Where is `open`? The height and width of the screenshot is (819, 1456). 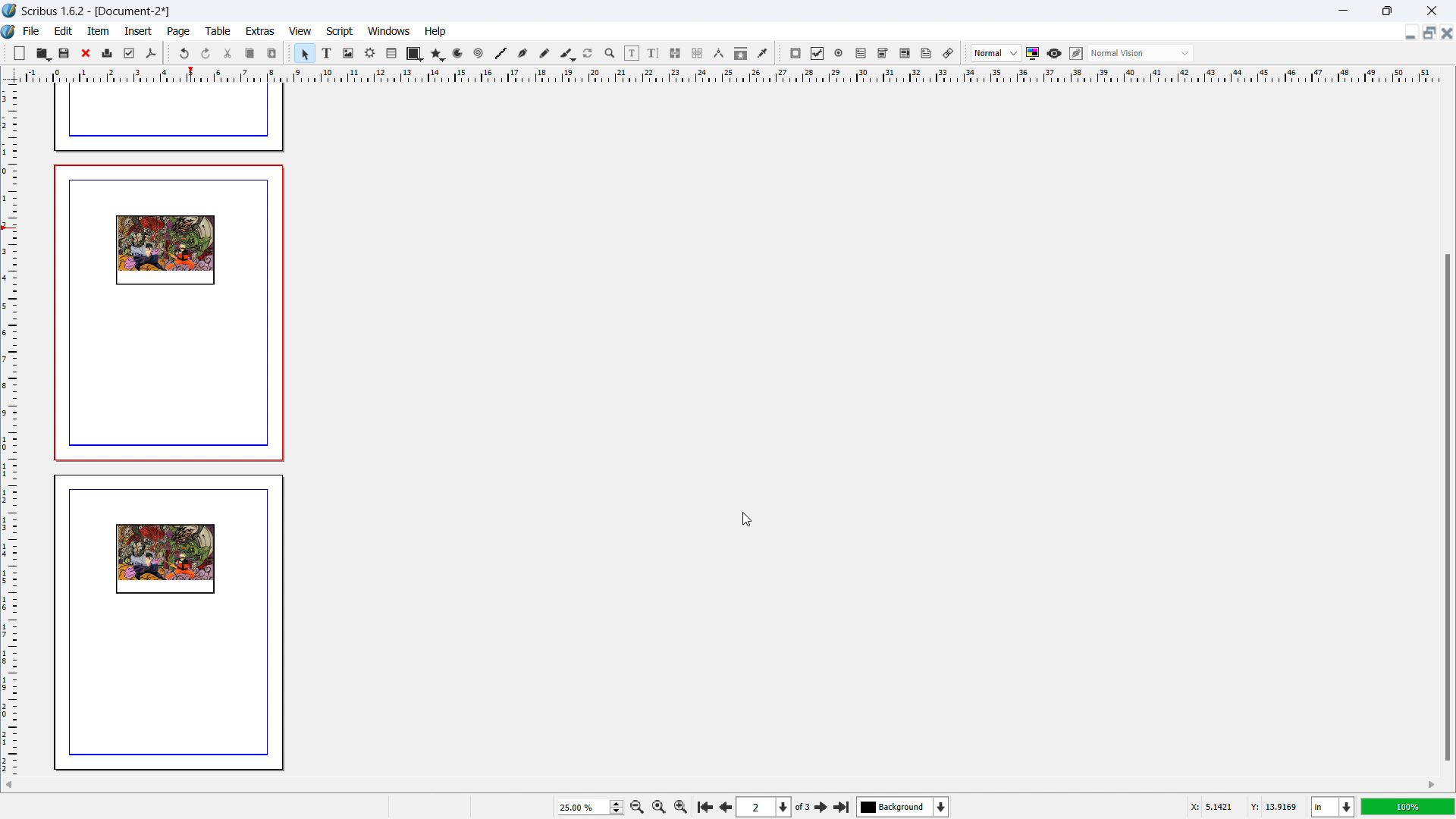
open is located at coordinates (42, 53).